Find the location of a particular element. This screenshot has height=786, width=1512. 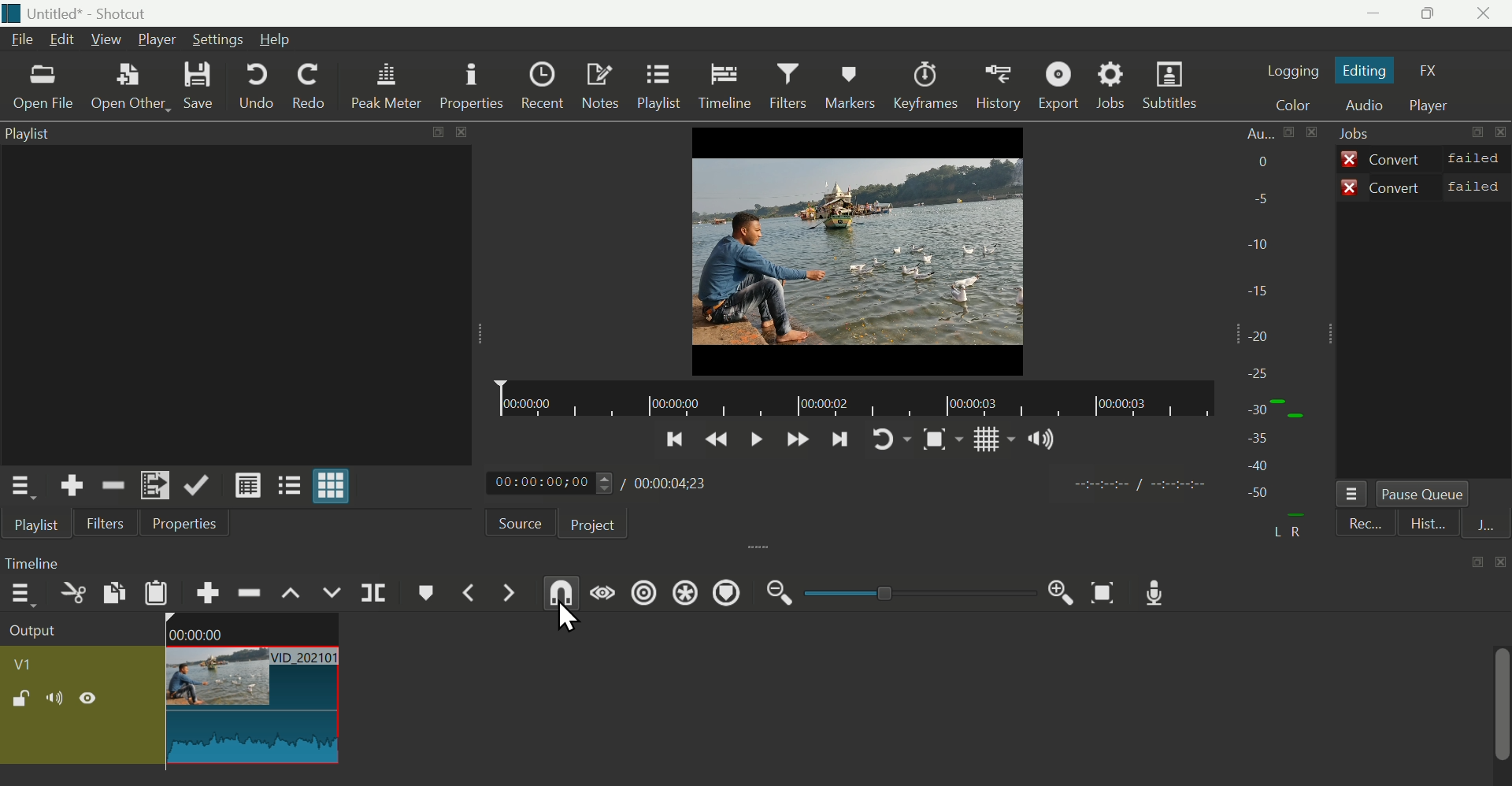

close is located at coordinates (459, 132).